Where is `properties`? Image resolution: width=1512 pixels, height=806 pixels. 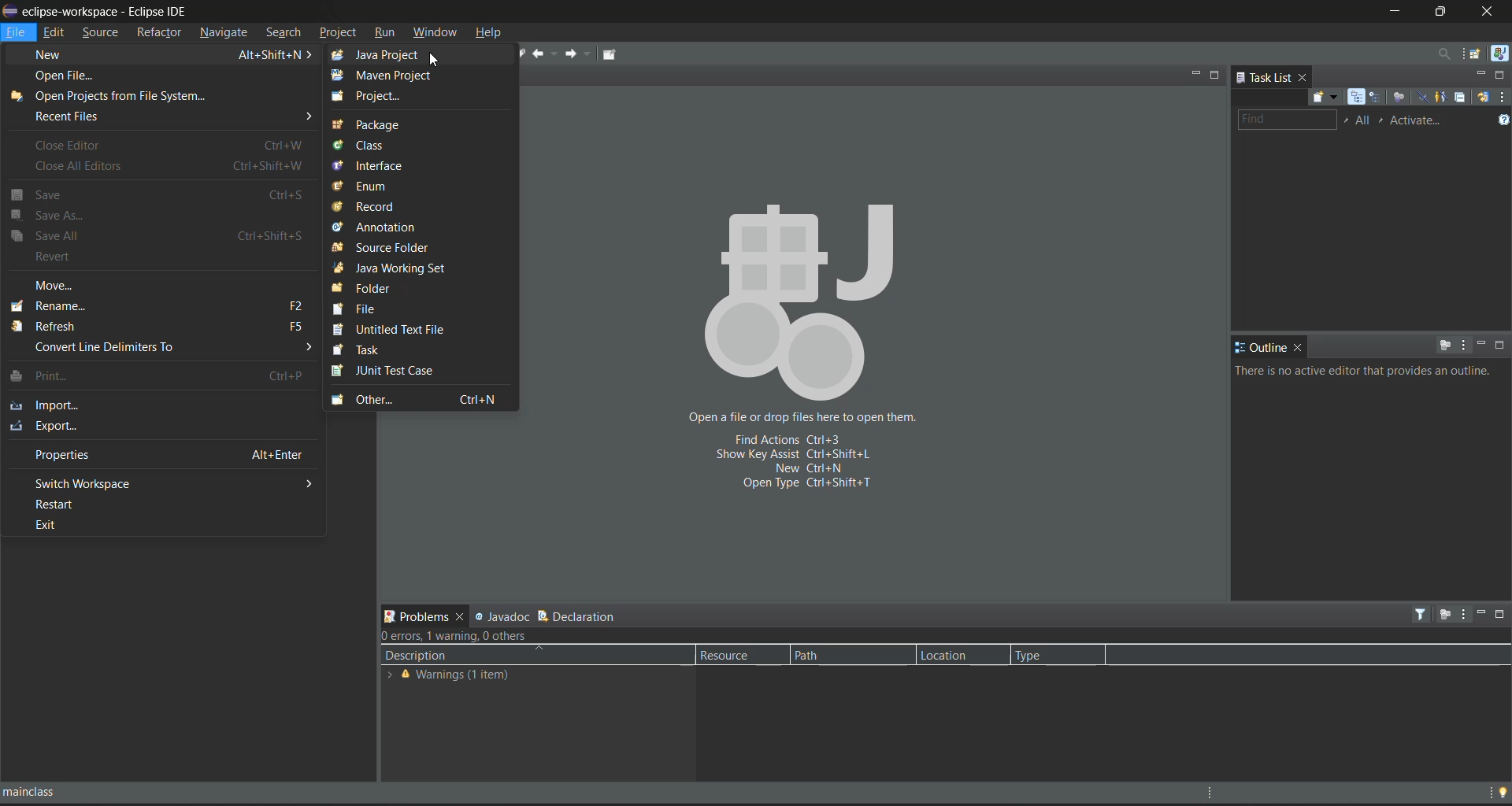
properties is located at coordinates (161, 453).